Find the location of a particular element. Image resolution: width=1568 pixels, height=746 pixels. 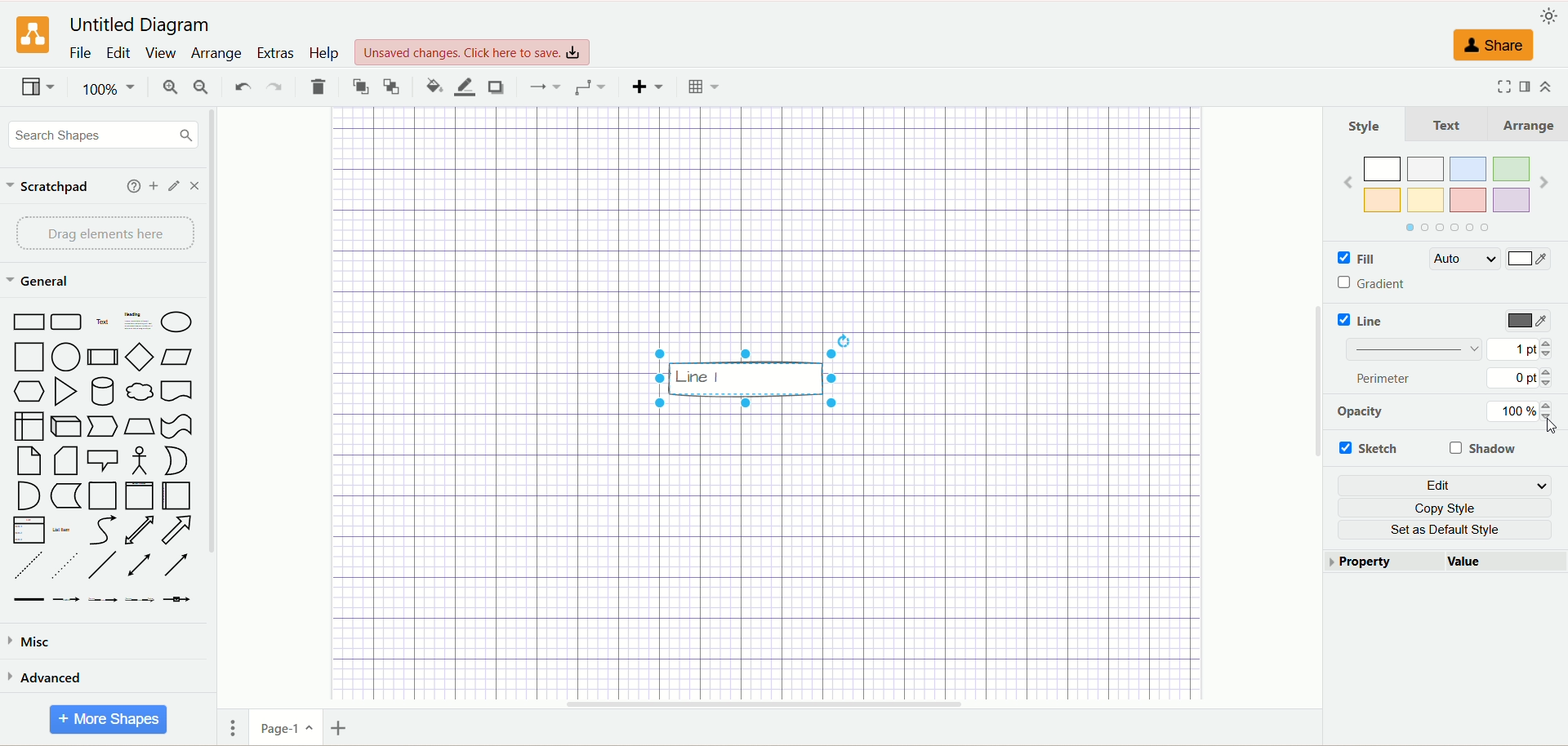

Parallelogram is located at coordinates (176, 357).